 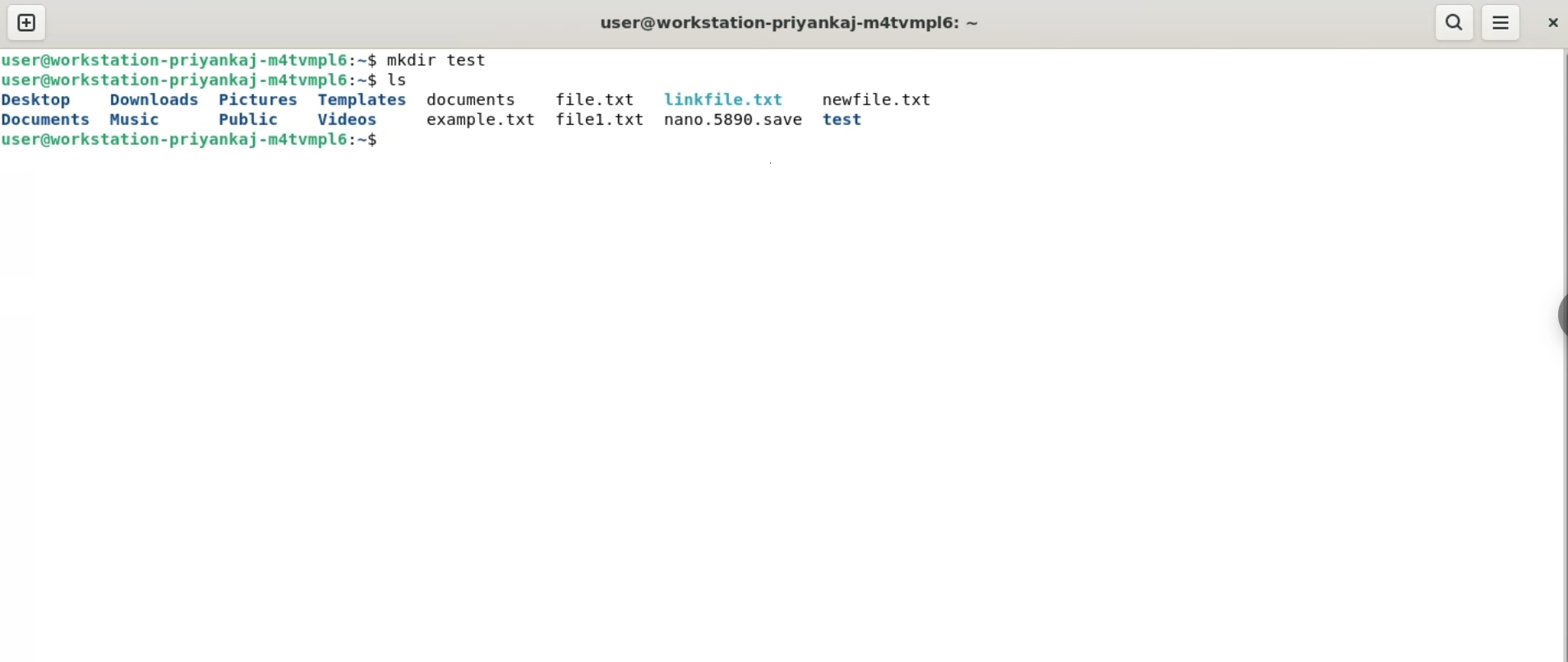 I want to click on public, so click(x=244, y=118).